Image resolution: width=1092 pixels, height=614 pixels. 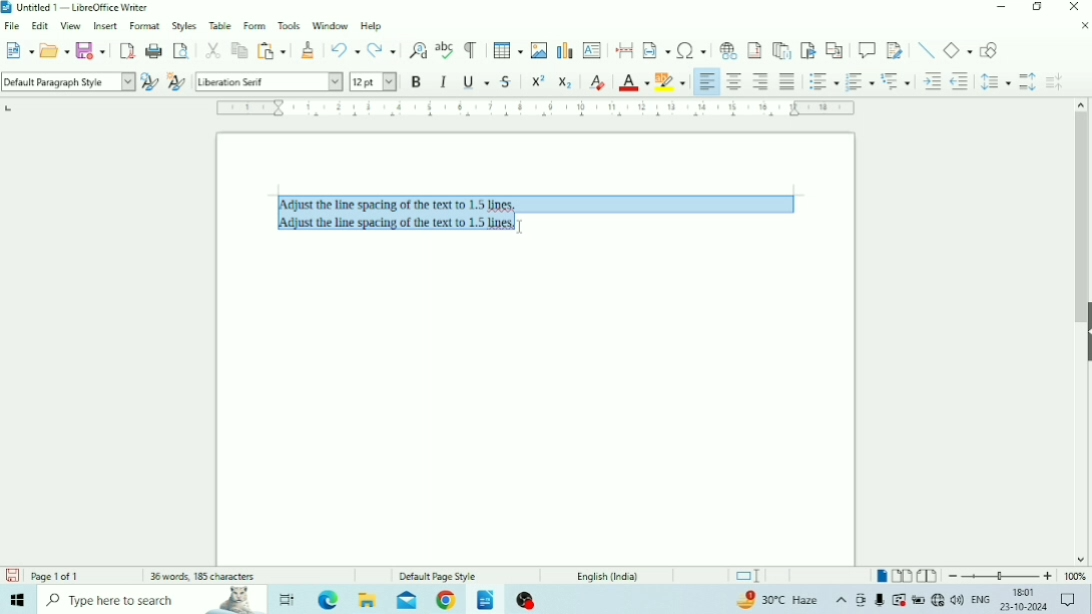 I want to click on Copy, so click(x=239, y=49).